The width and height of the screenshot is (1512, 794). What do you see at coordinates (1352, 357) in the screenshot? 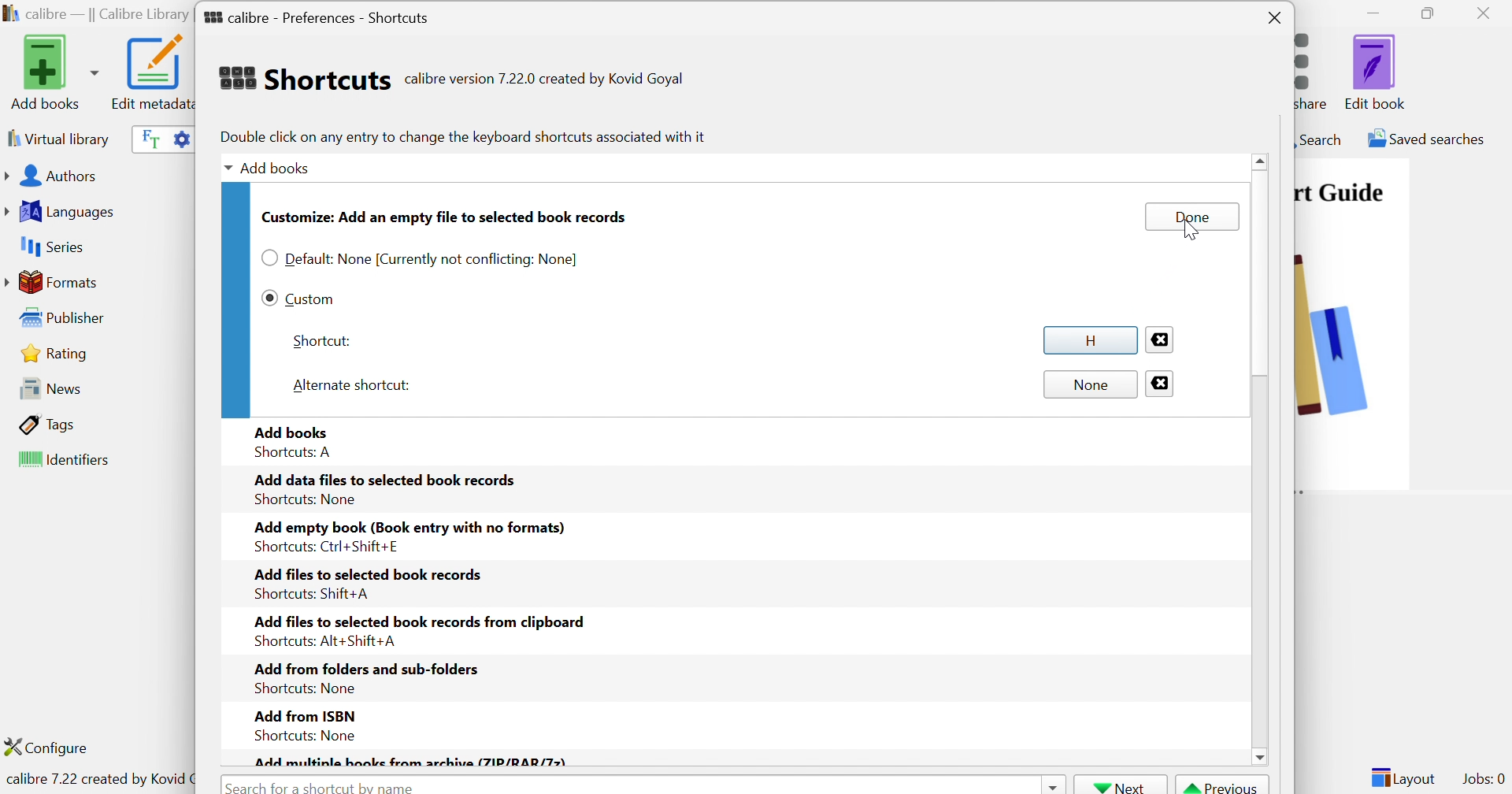
I see `image` at bounding box center [1352, 357].